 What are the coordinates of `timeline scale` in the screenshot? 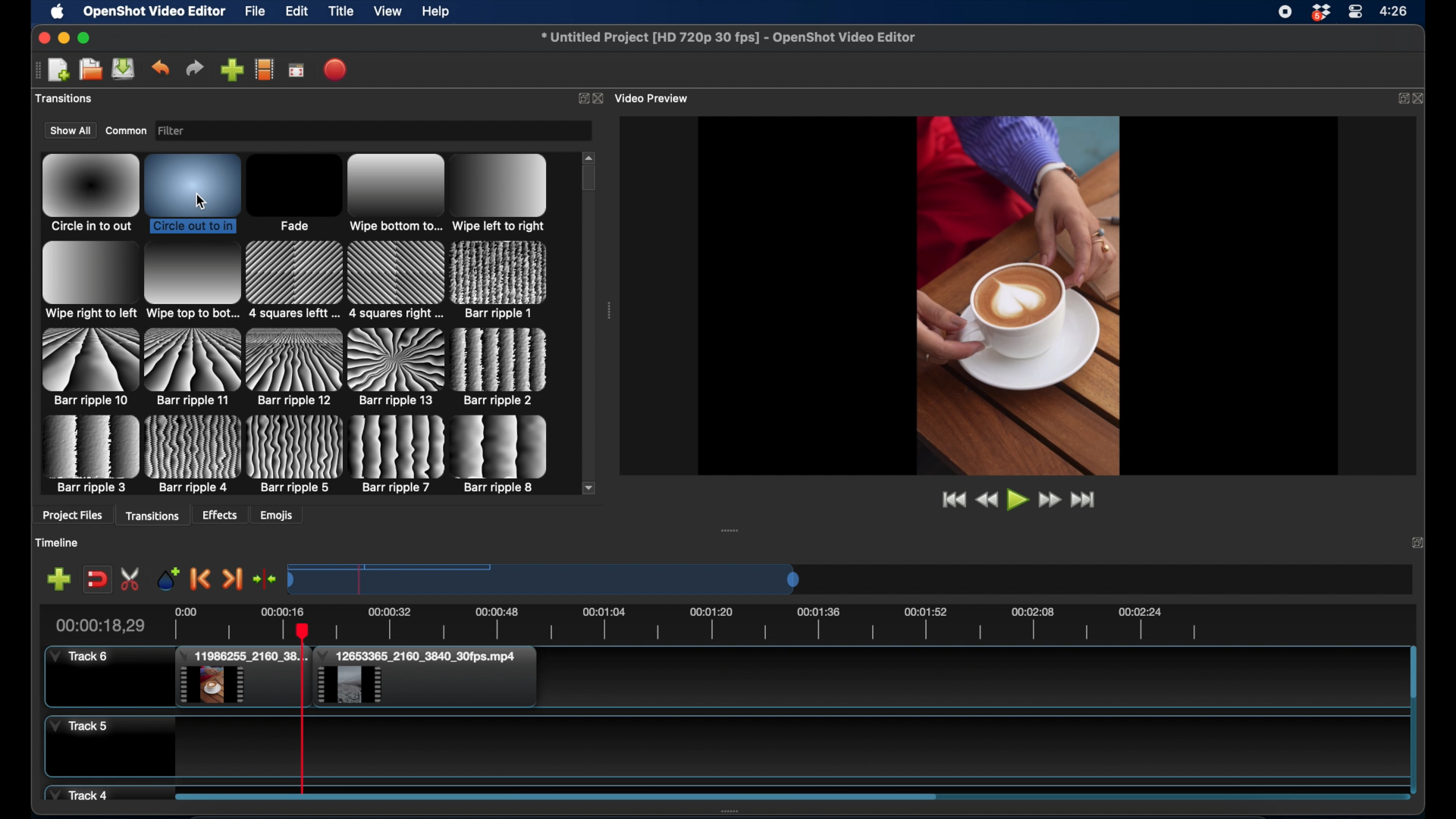 It's located at (546, 579).